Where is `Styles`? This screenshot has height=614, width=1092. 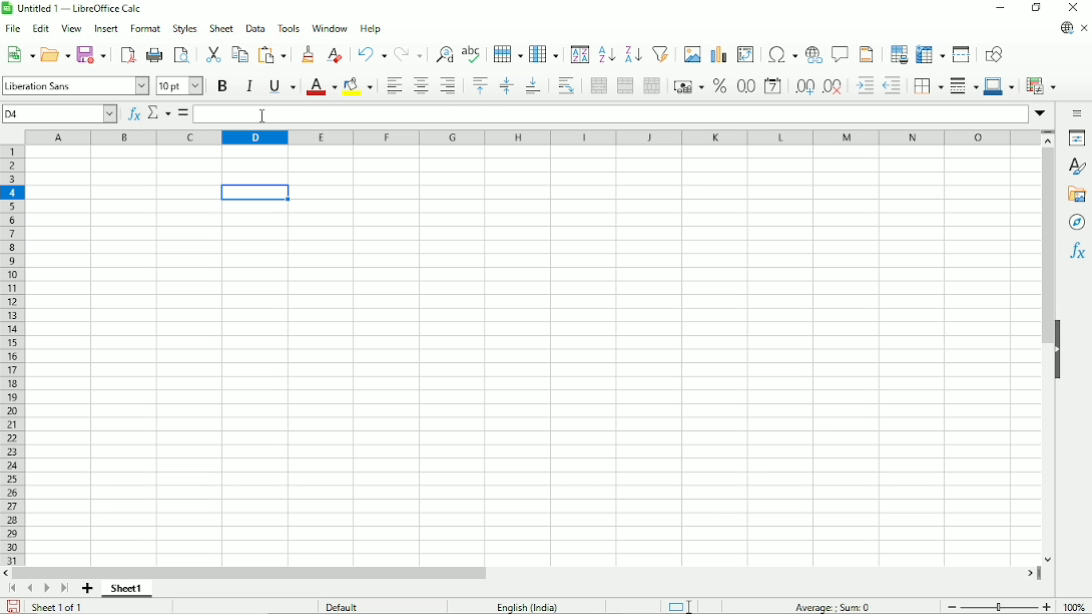
Styles is located at coordinates (1078, 167).